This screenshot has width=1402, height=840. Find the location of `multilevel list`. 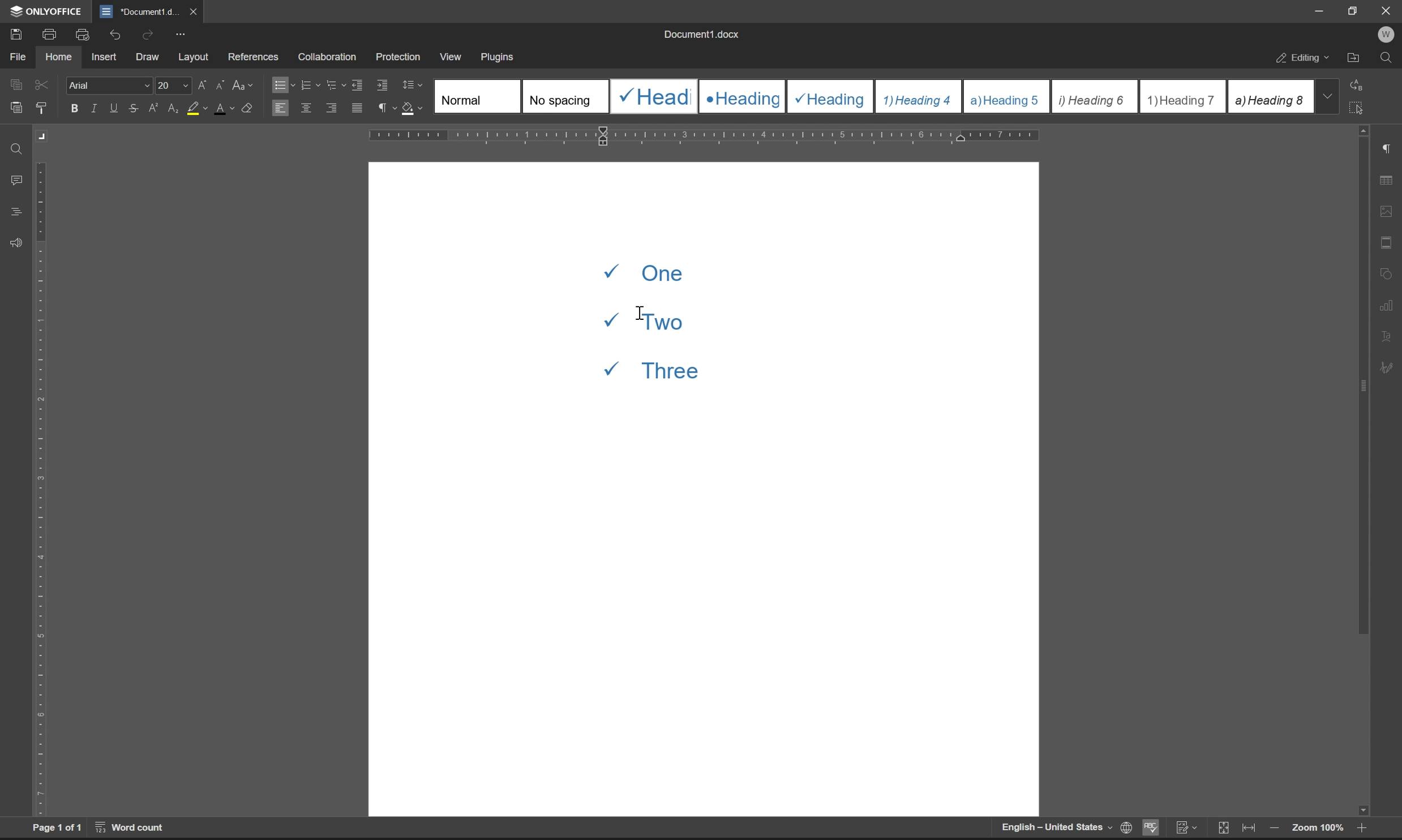

multilevel list is located at coordinates (337, 84).